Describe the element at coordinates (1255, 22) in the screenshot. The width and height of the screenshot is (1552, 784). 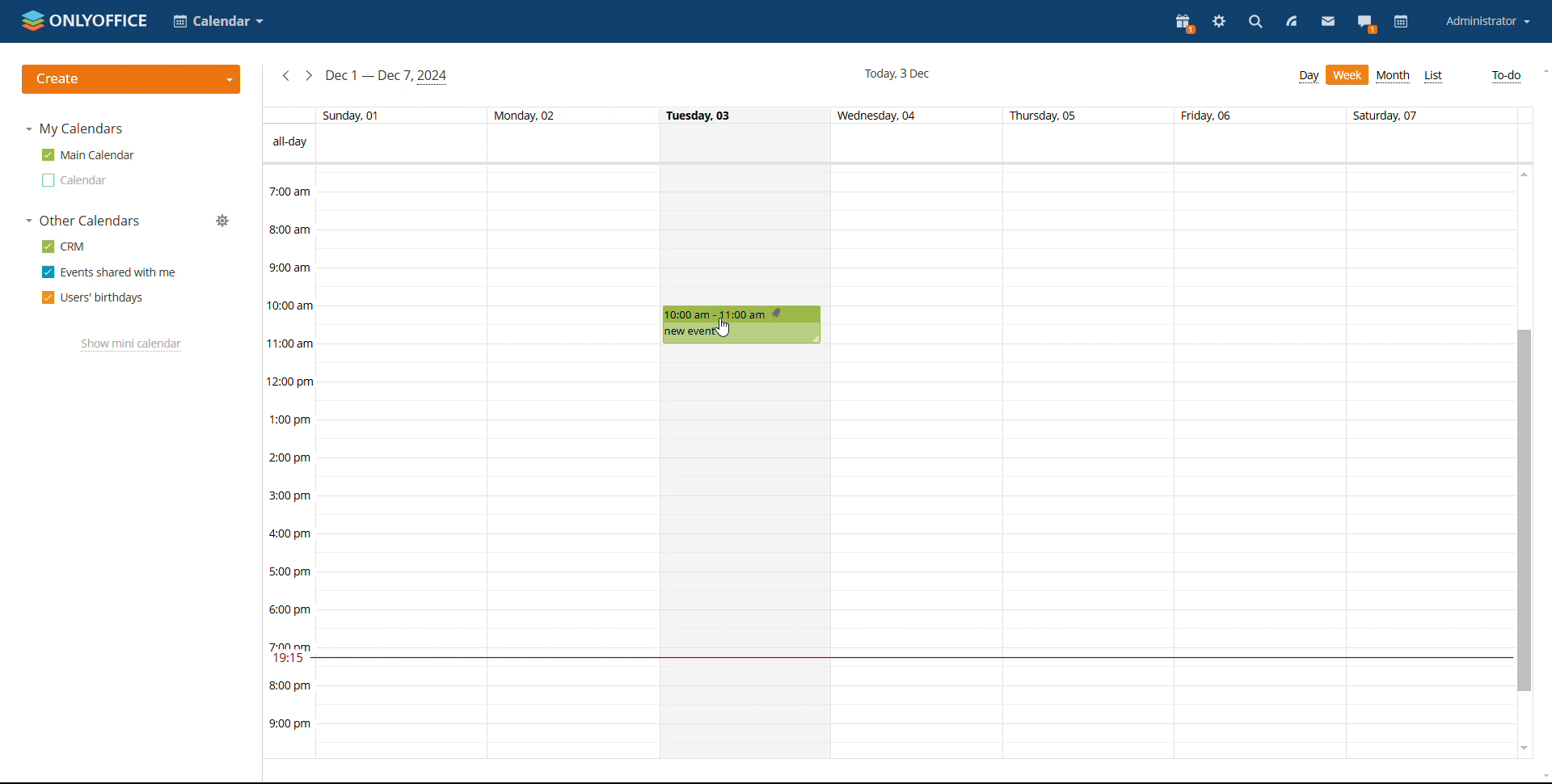
I see `search` at that location.